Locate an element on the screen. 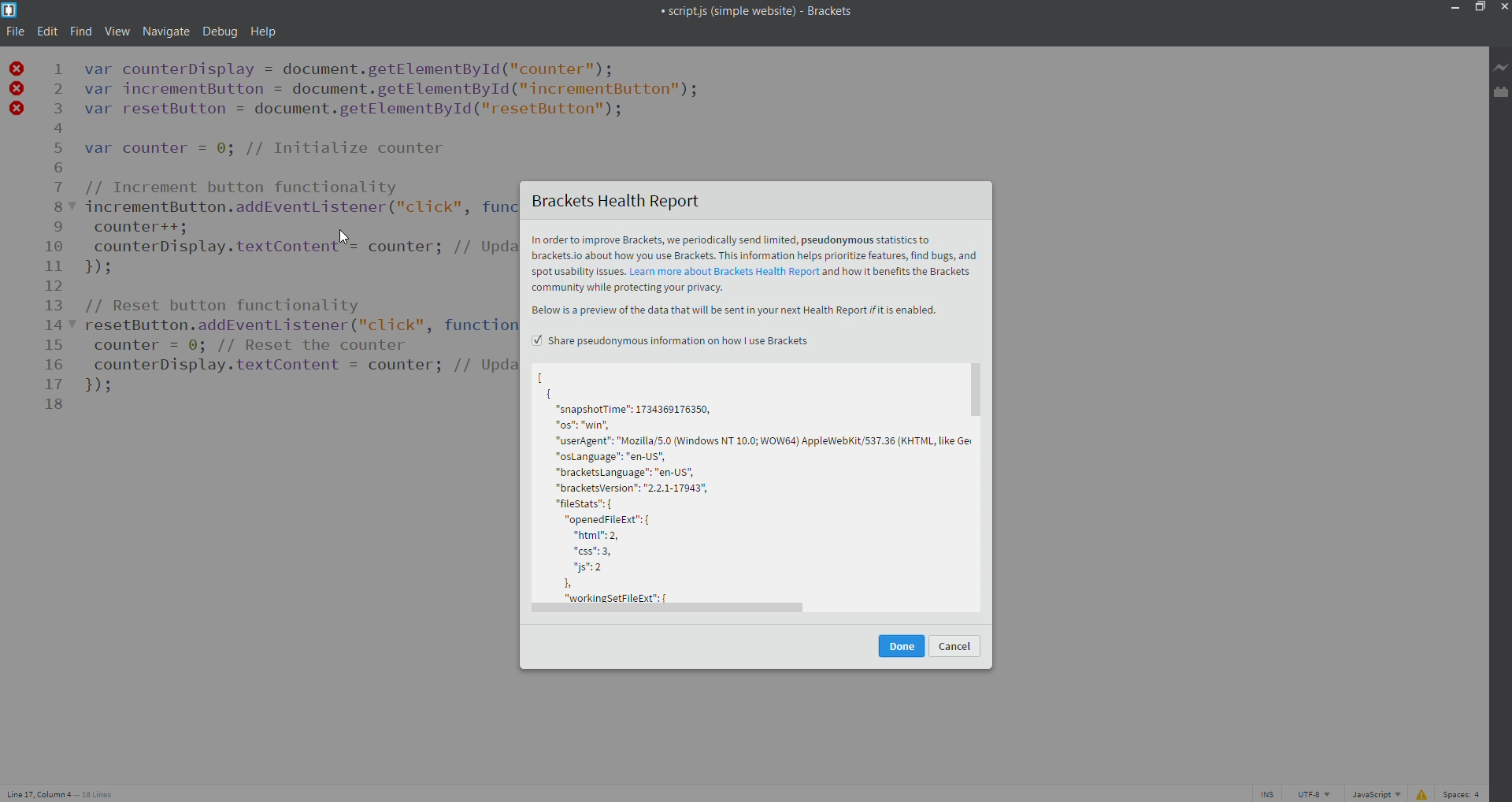 The height and width of the screenshot is (802, 1512). horizontal scroll bar is located at coordinates (758, 615).